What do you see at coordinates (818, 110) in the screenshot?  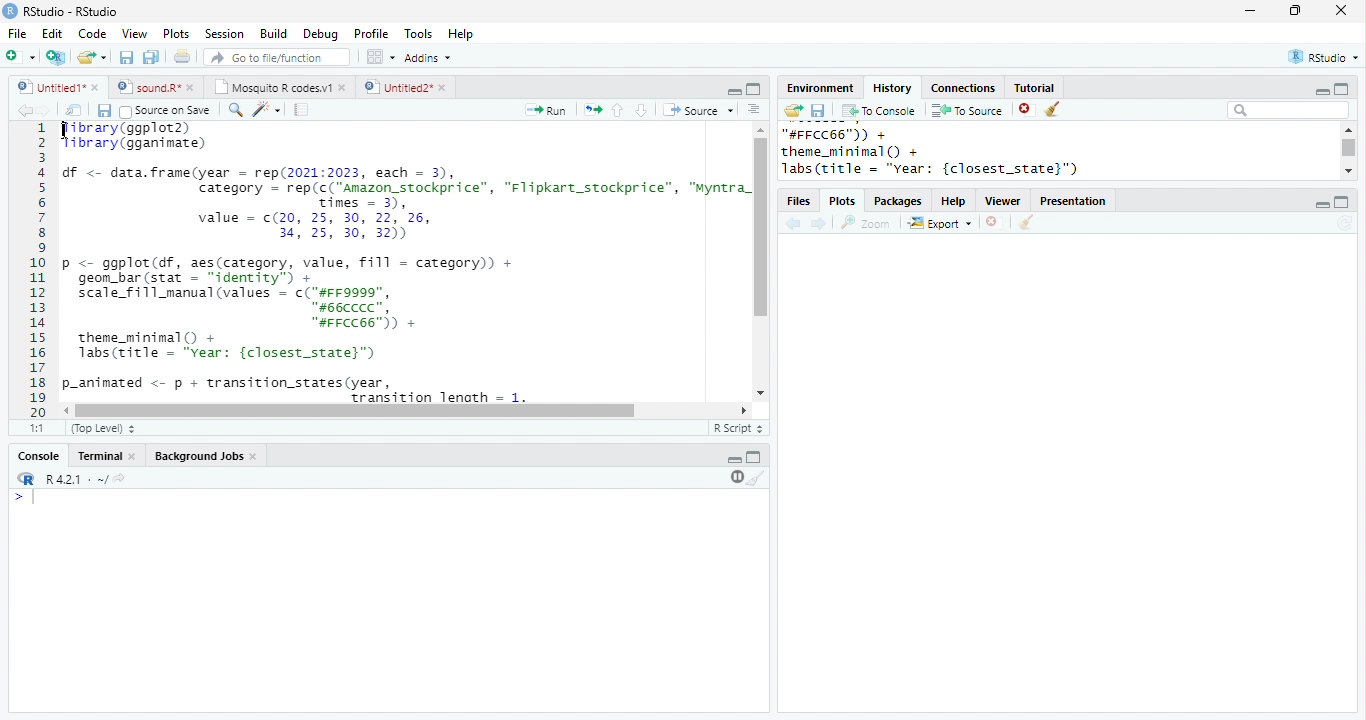 I see `save` at bounding box center [818, 110].